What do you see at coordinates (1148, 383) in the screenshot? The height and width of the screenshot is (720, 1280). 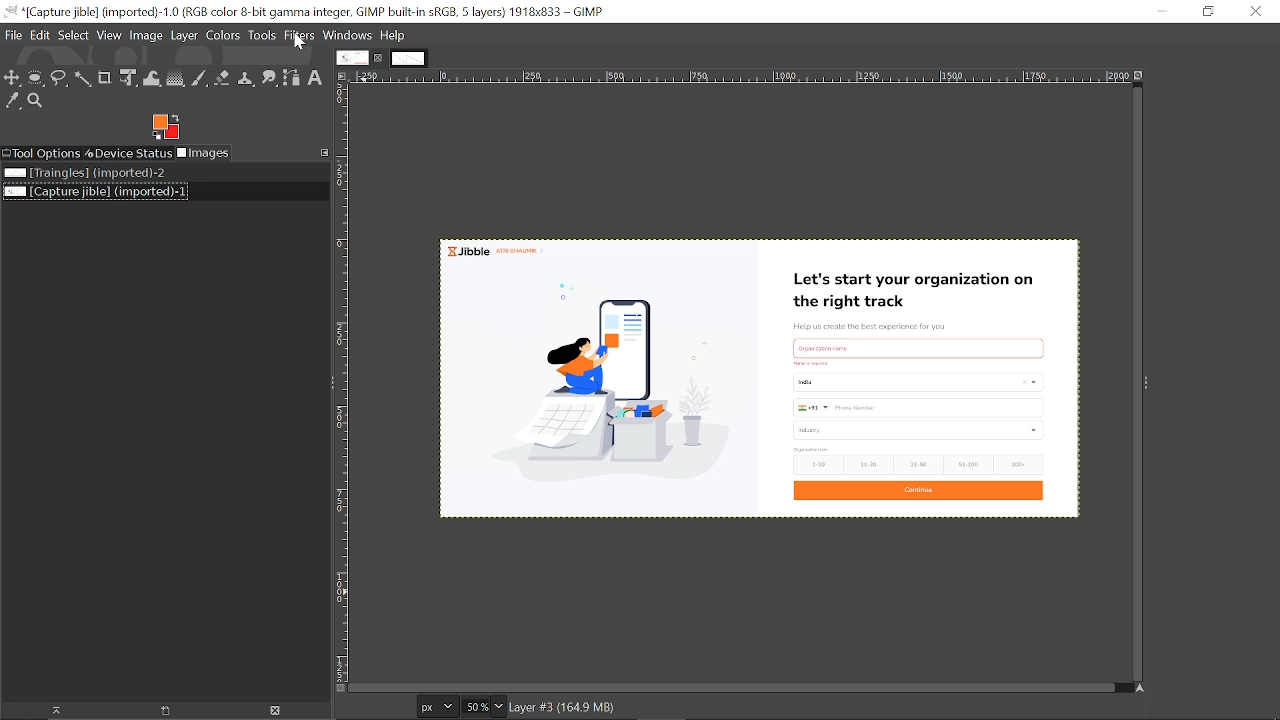 I see `Sidebar menu` at bounding box center [1148, 383].